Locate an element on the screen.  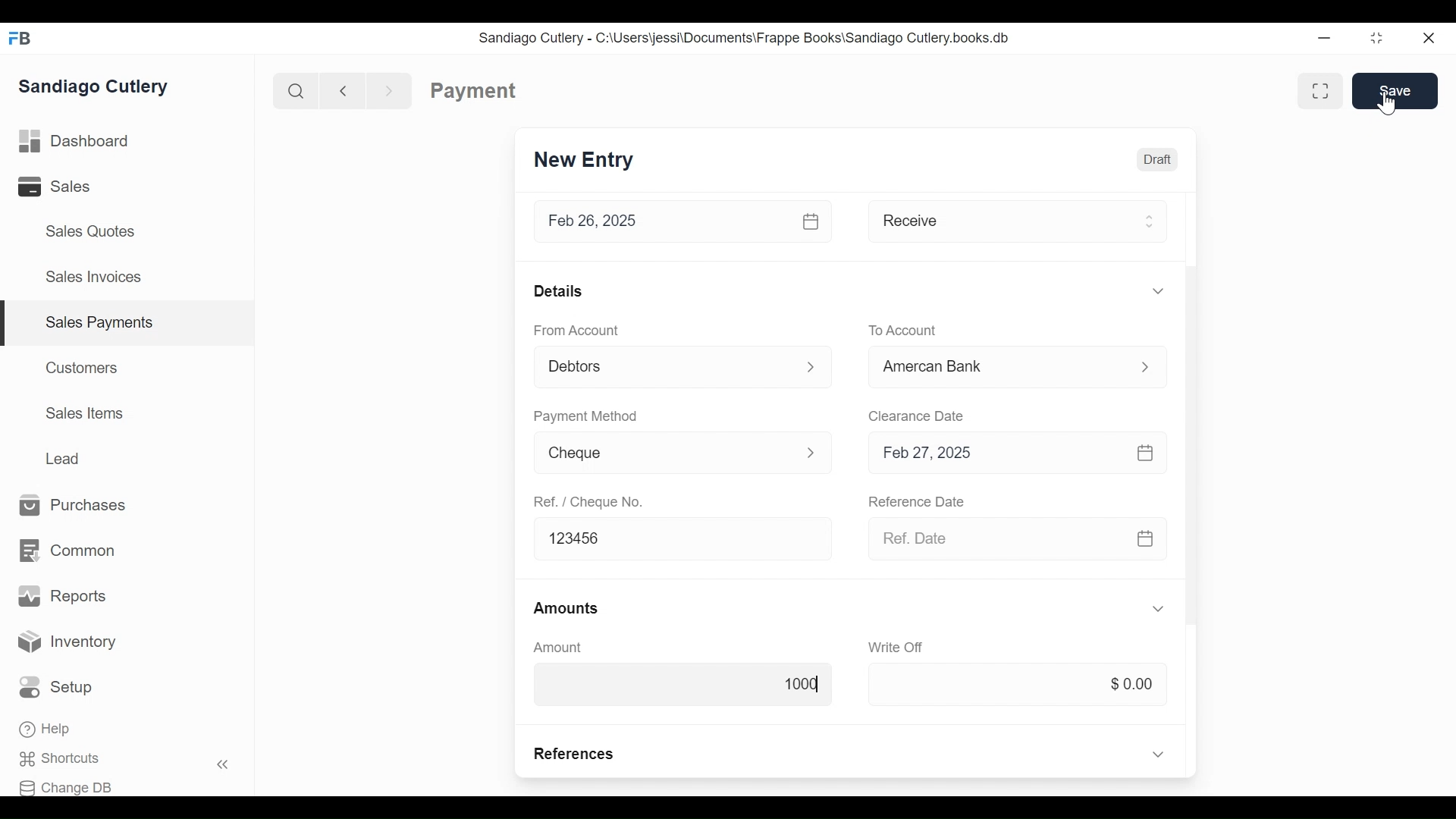
Minimize is located at coordinates (1324, 39).